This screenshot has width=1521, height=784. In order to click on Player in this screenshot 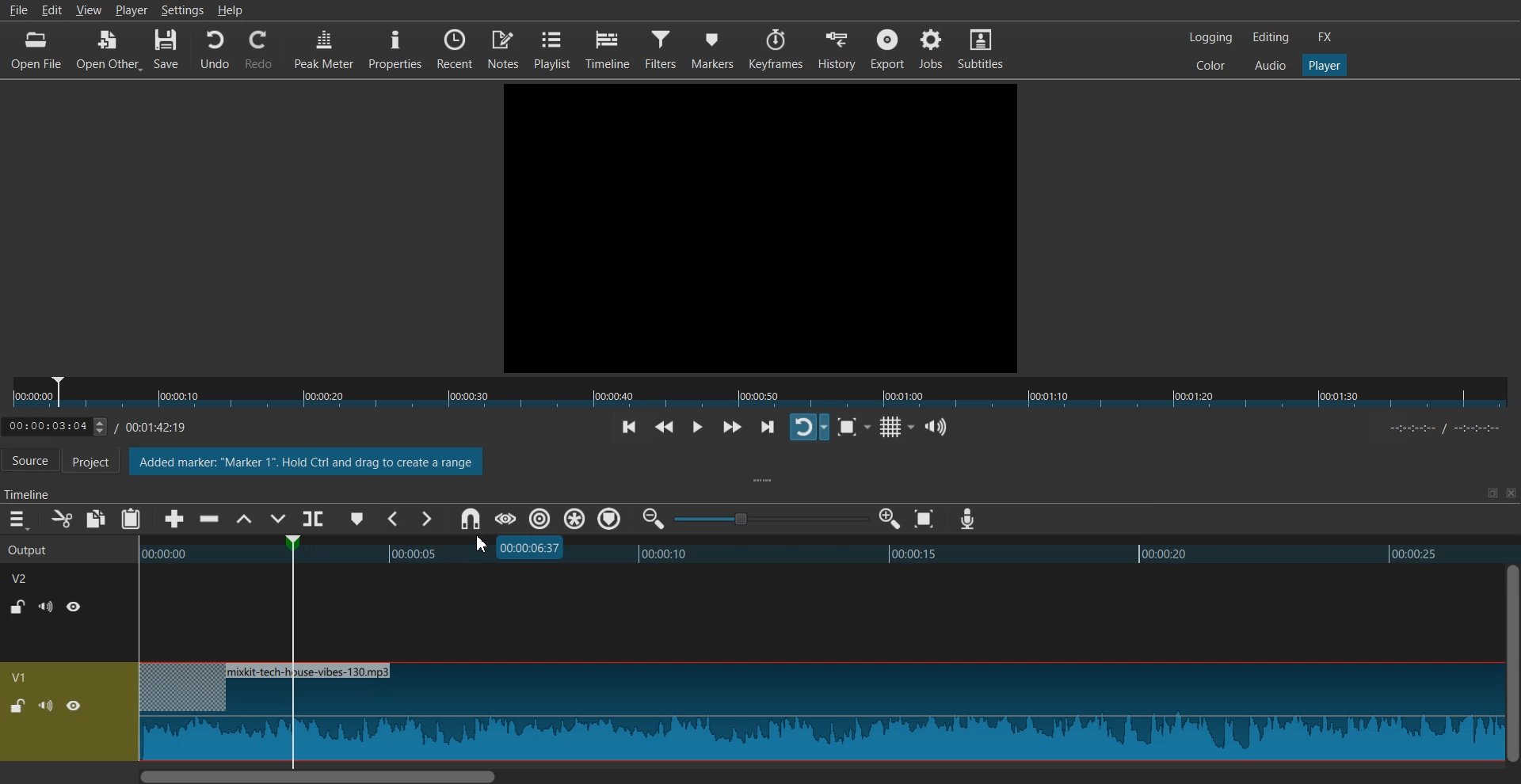, I will do `click(1325, 66)`.